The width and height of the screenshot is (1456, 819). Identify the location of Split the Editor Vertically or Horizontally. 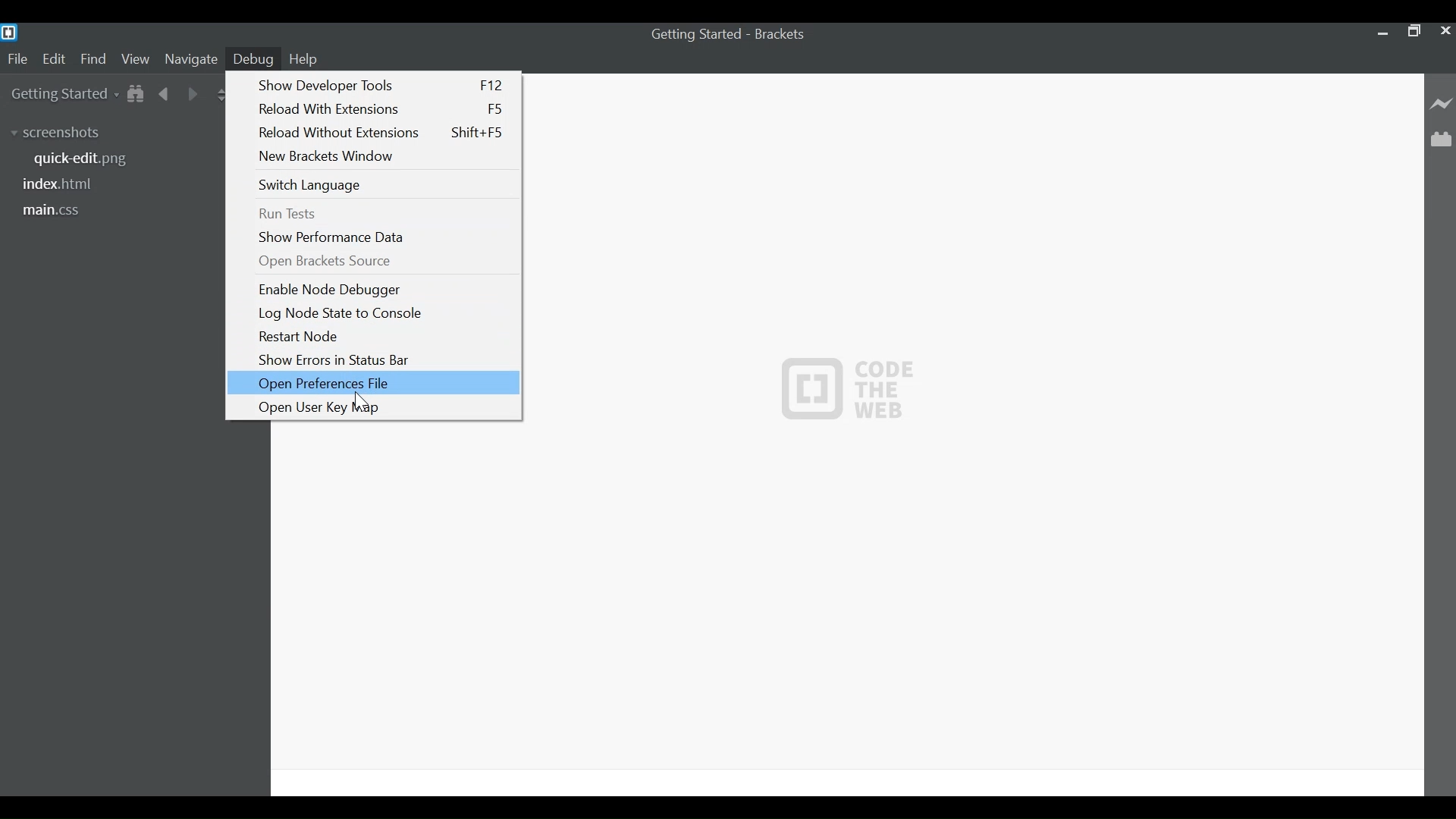
(220, 93).